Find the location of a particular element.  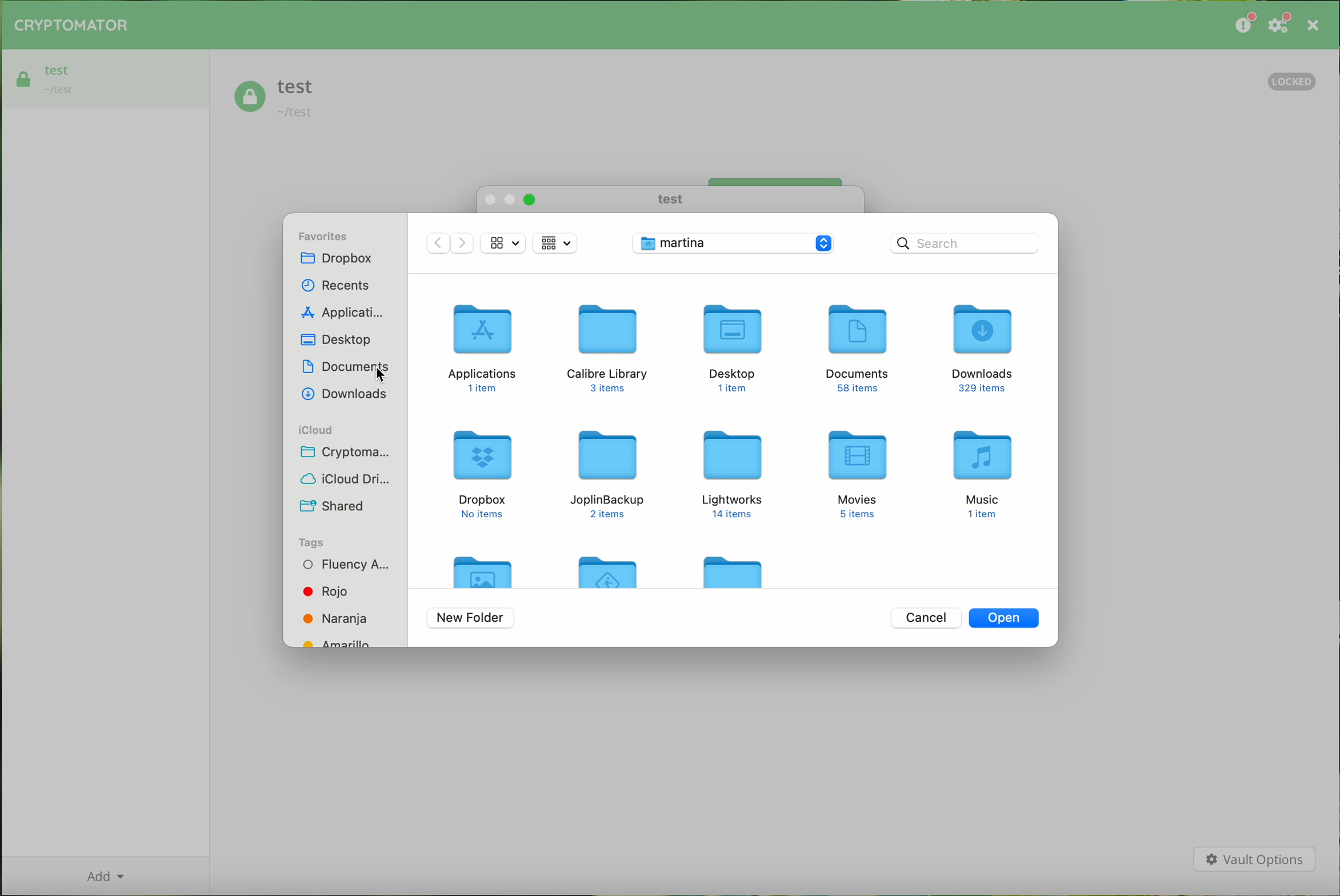

test vault is located at coordinates (275, 99).